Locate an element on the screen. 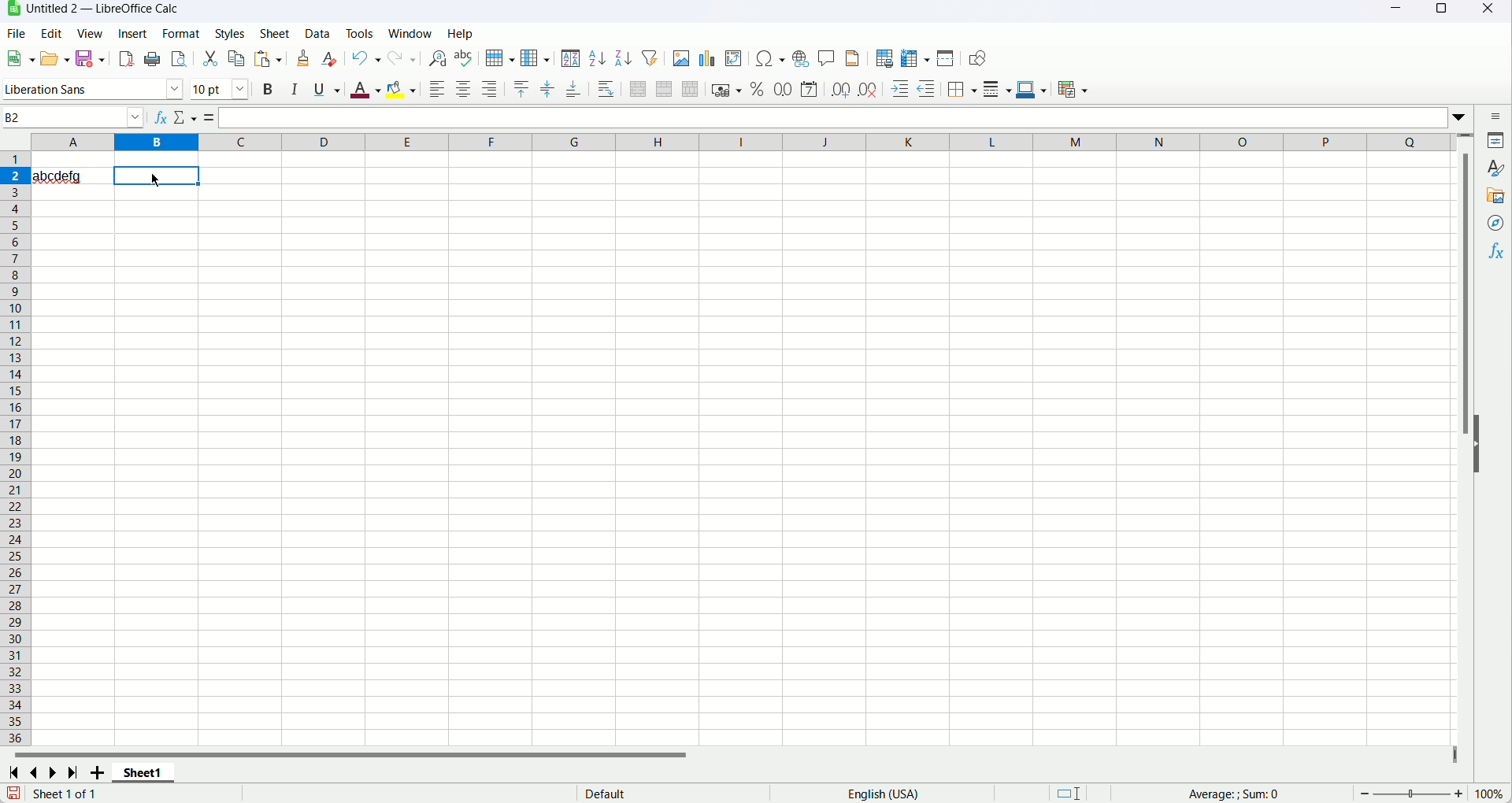 This screenshot has width=1512, height=803. tools is located at coordinates (359, 33).